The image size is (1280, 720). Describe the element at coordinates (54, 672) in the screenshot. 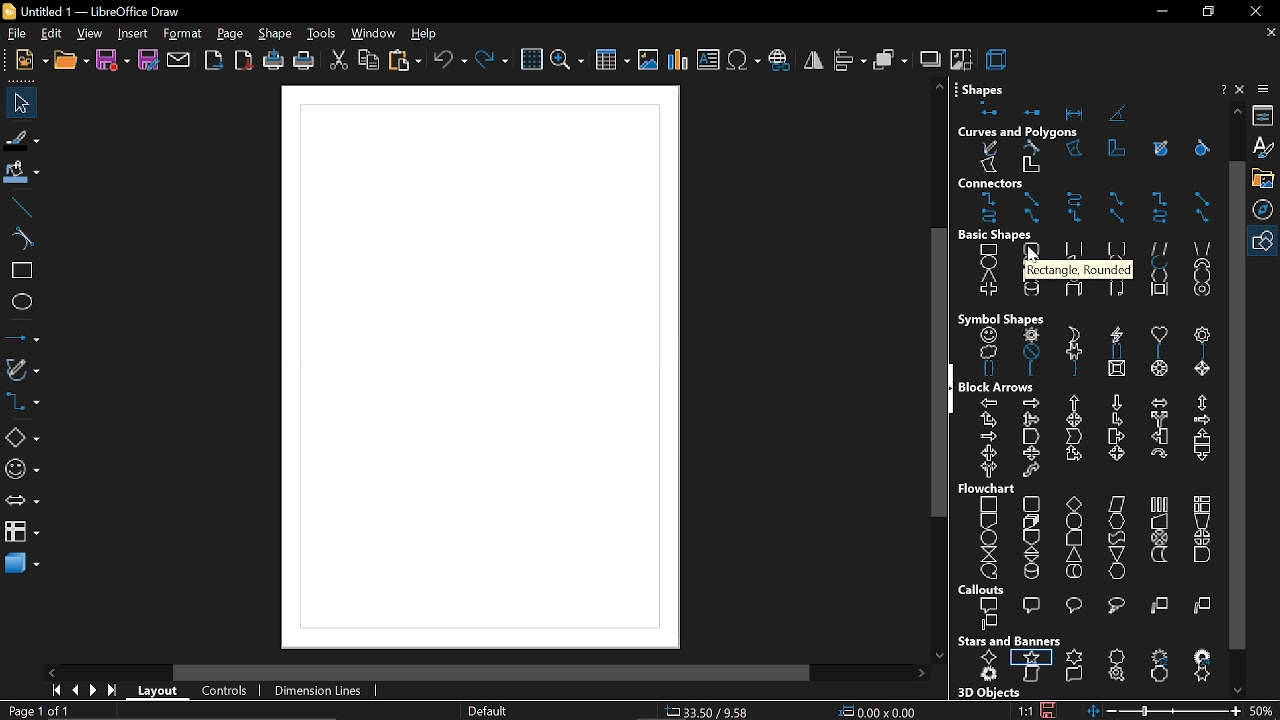

I see `move left` at that location.